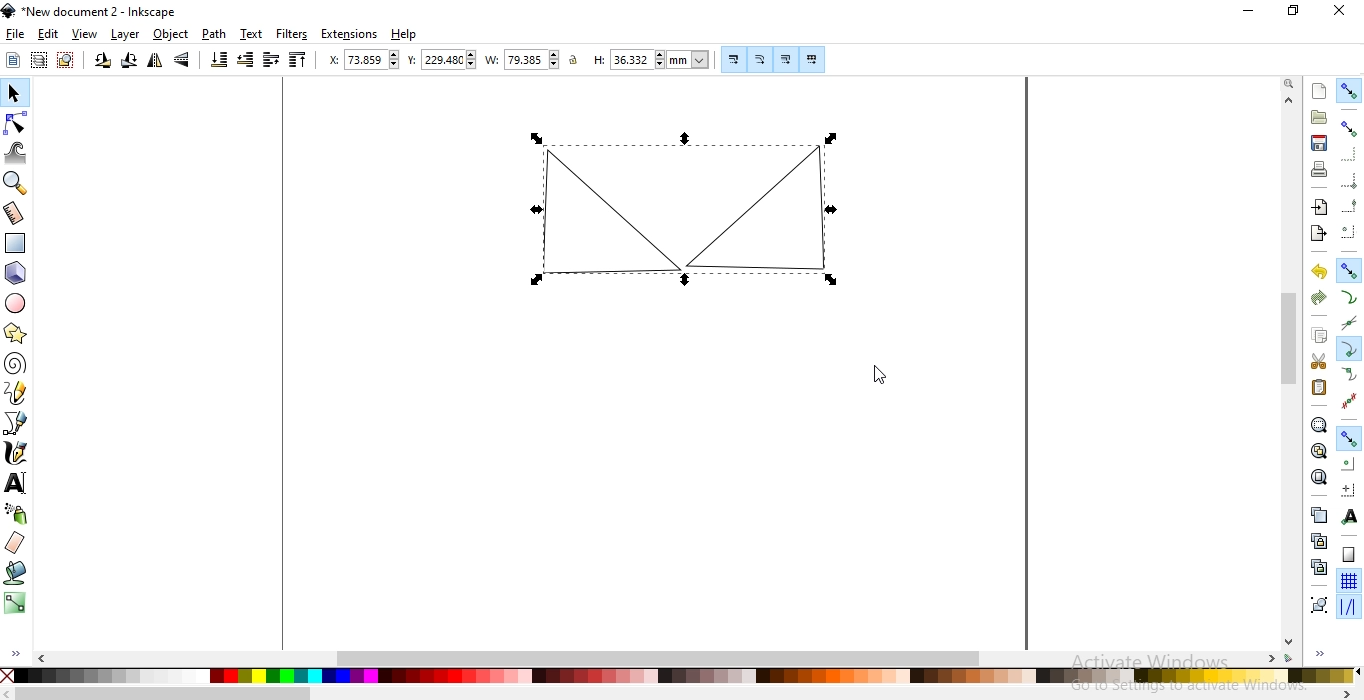  What do you see at coordinates (18, 484) in the screenshot?
I see `create and edit text objects` at bounding box center [18, 484].